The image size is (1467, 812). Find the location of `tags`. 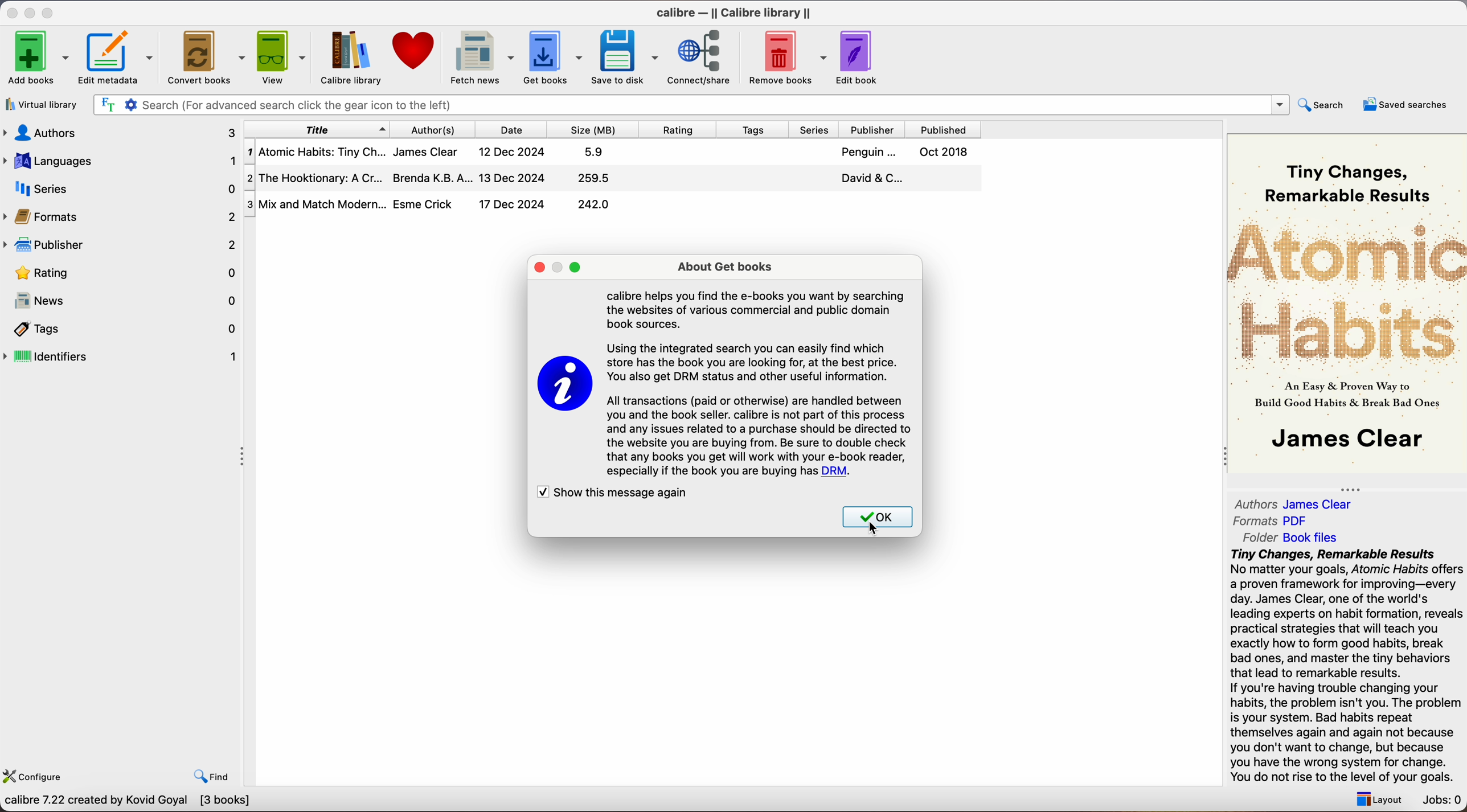

tags is located at coordinates (755, 130).